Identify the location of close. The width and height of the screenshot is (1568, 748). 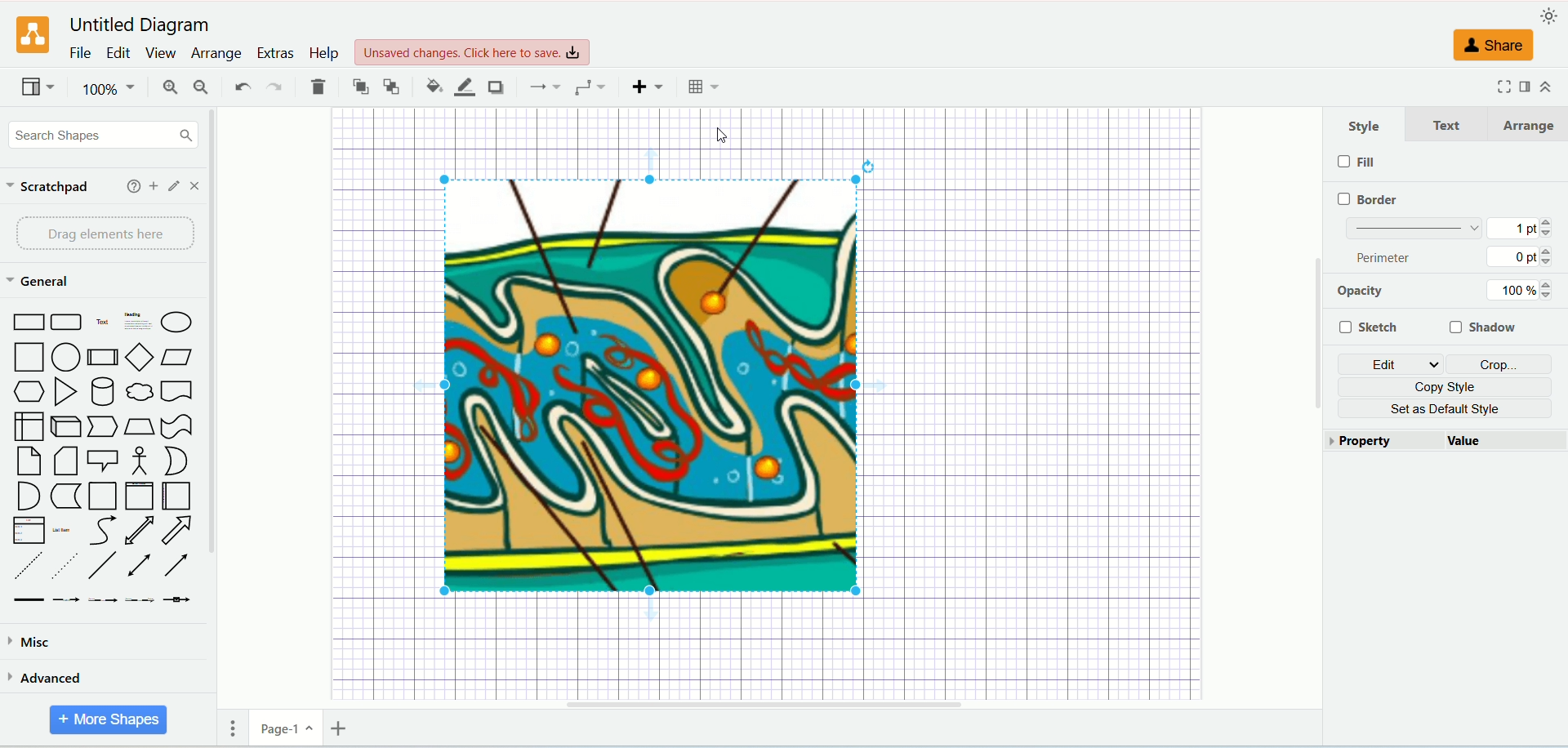
(198, 186).